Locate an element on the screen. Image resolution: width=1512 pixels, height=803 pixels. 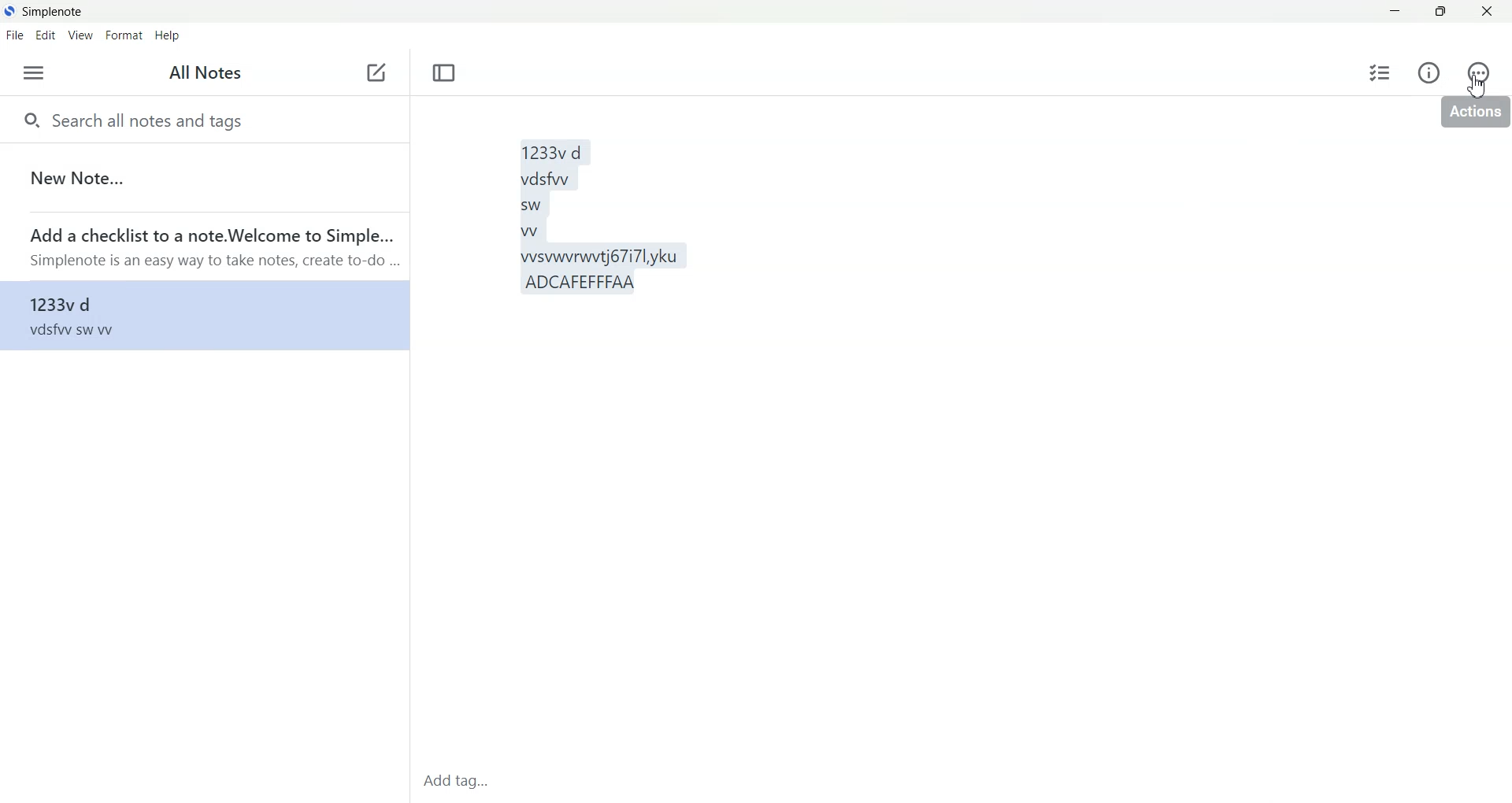
Close is located at coordinates (1487, 12).